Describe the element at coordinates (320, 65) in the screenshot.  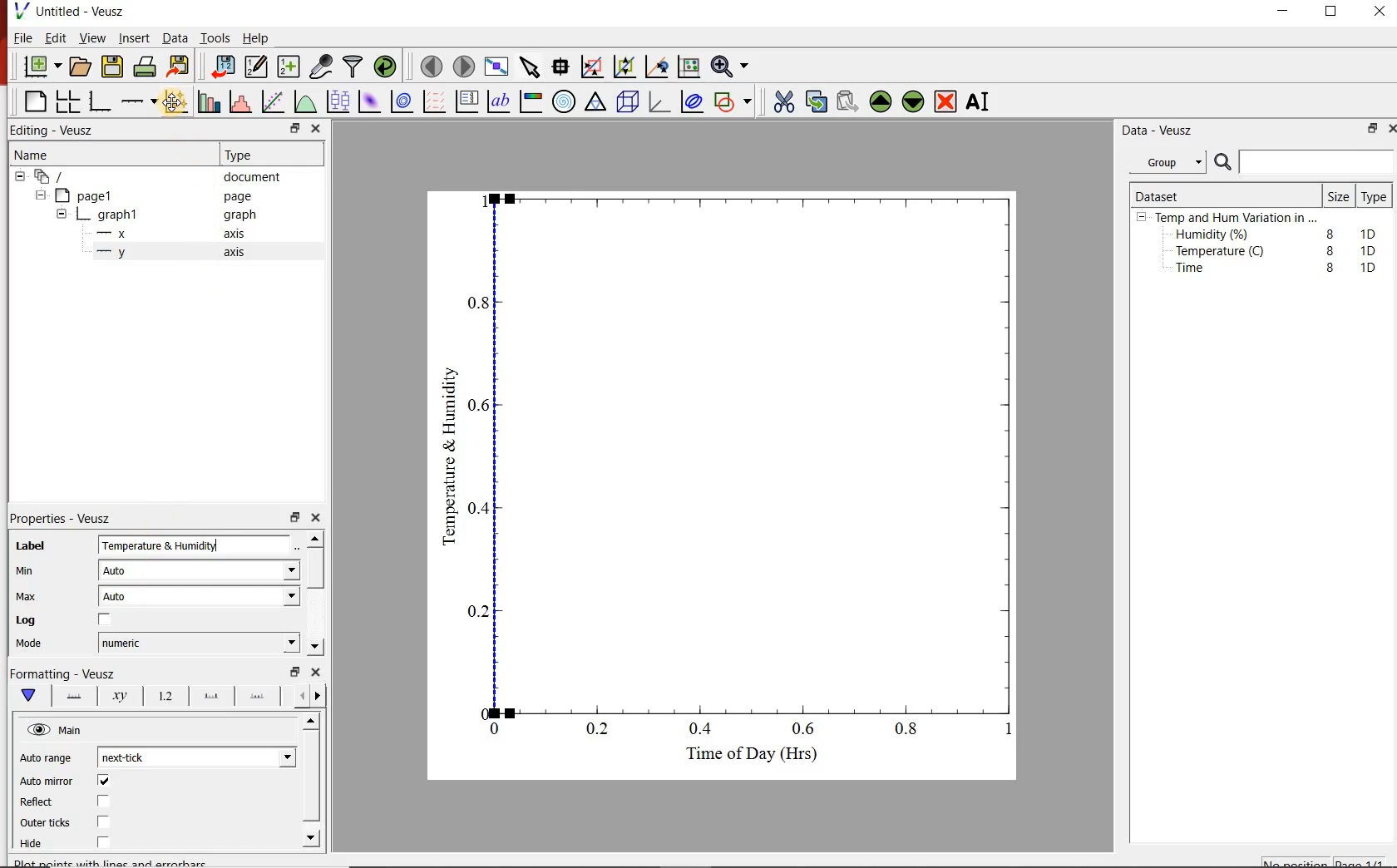
I see `capture remote data` at that location.